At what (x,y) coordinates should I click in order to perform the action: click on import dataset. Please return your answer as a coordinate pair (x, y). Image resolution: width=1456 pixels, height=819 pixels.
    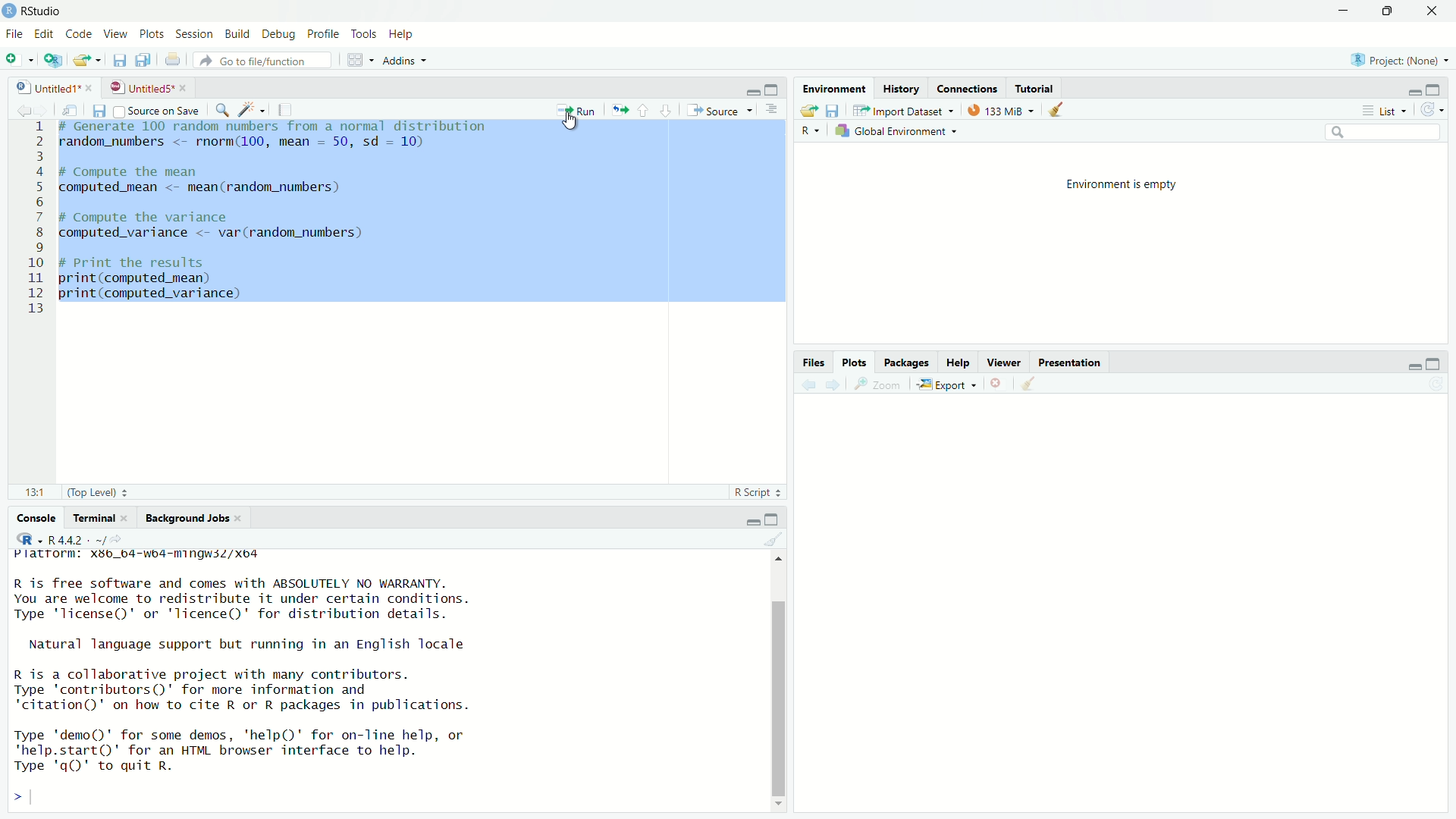
    Looking at the image, I should click on (908, 108).